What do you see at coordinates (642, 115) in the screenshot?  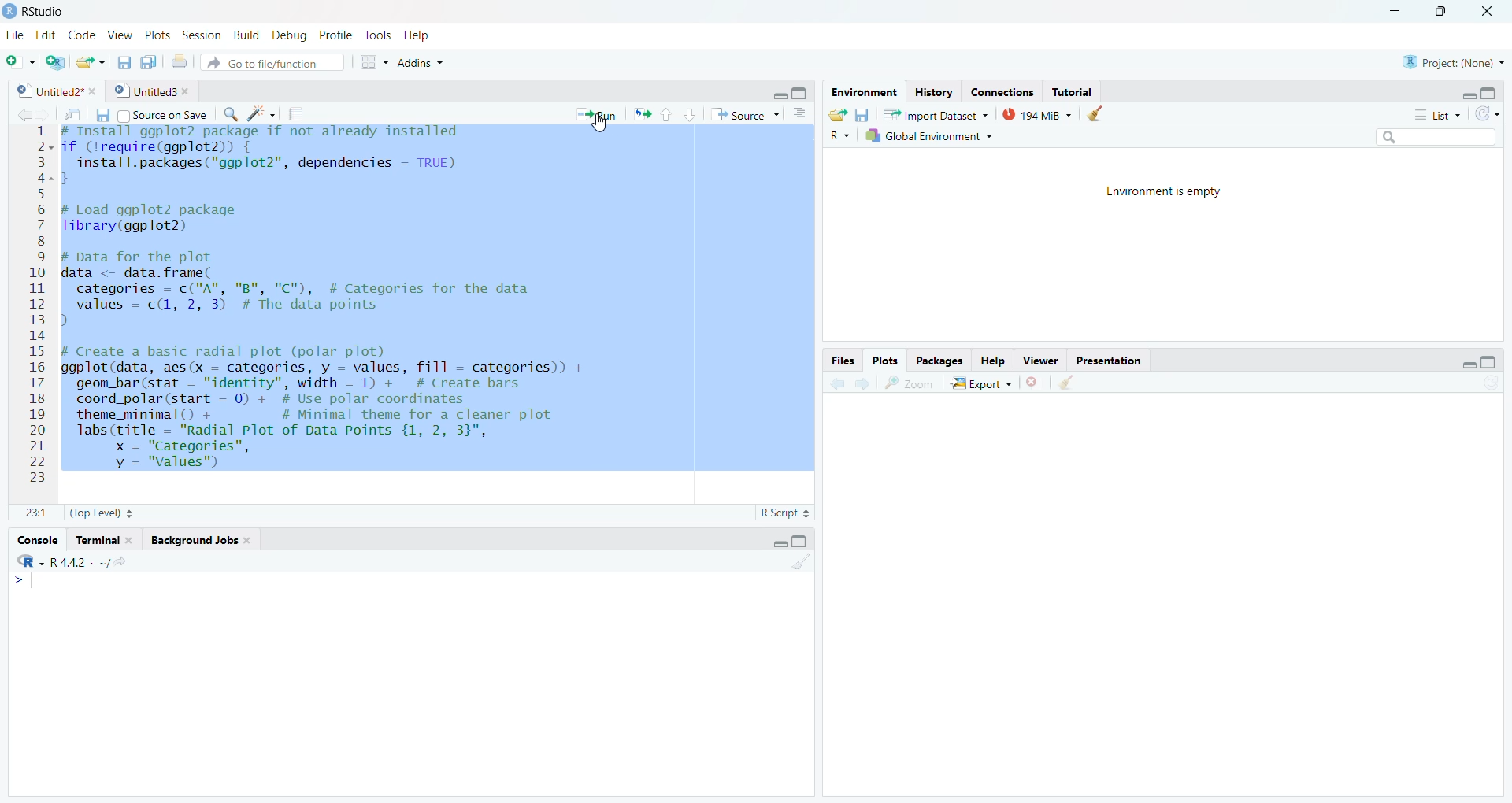 I see `re-run the previoude code` at bounding box center [642, 115].